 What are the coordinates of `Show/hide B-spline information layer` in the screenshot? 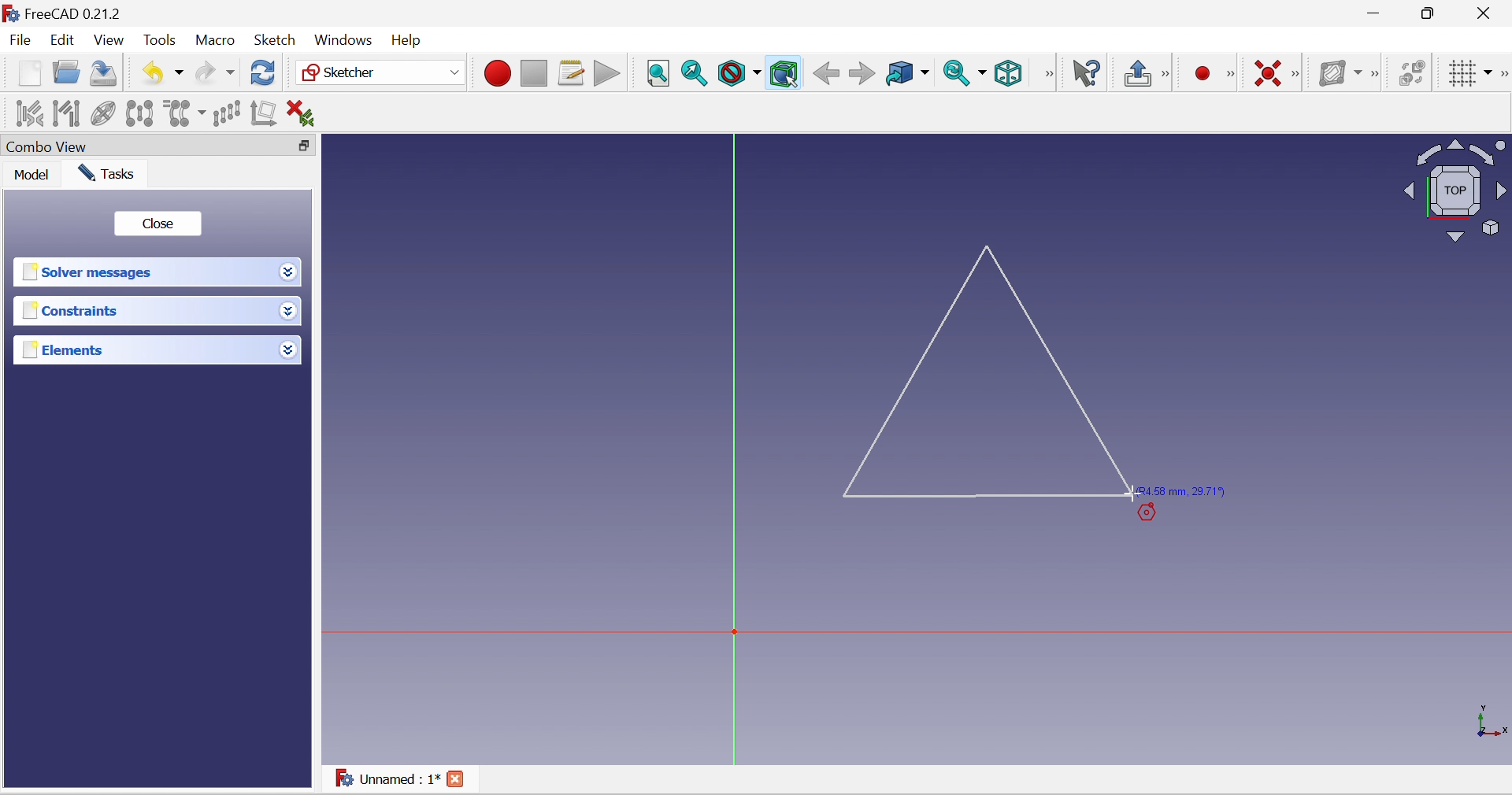 It's located at (1340, 74).